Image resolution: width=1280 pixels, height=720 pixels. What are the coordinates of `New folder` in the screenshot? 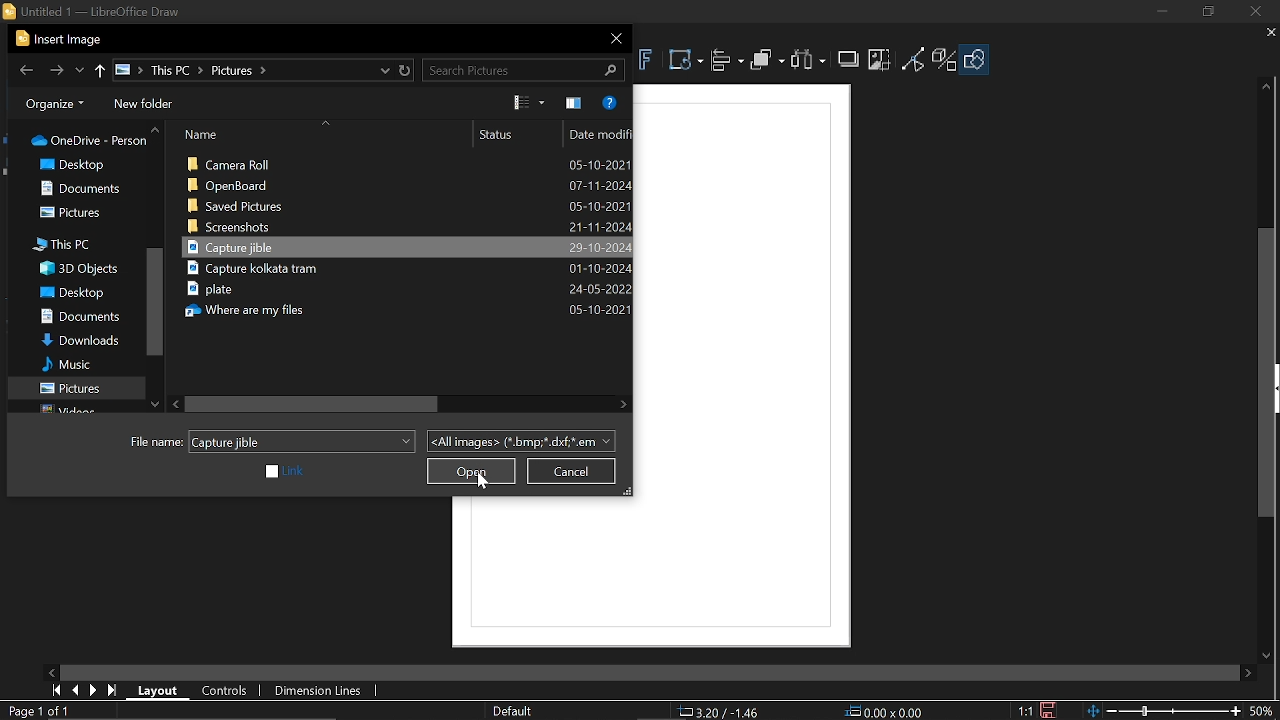 It's located at (148, 105).